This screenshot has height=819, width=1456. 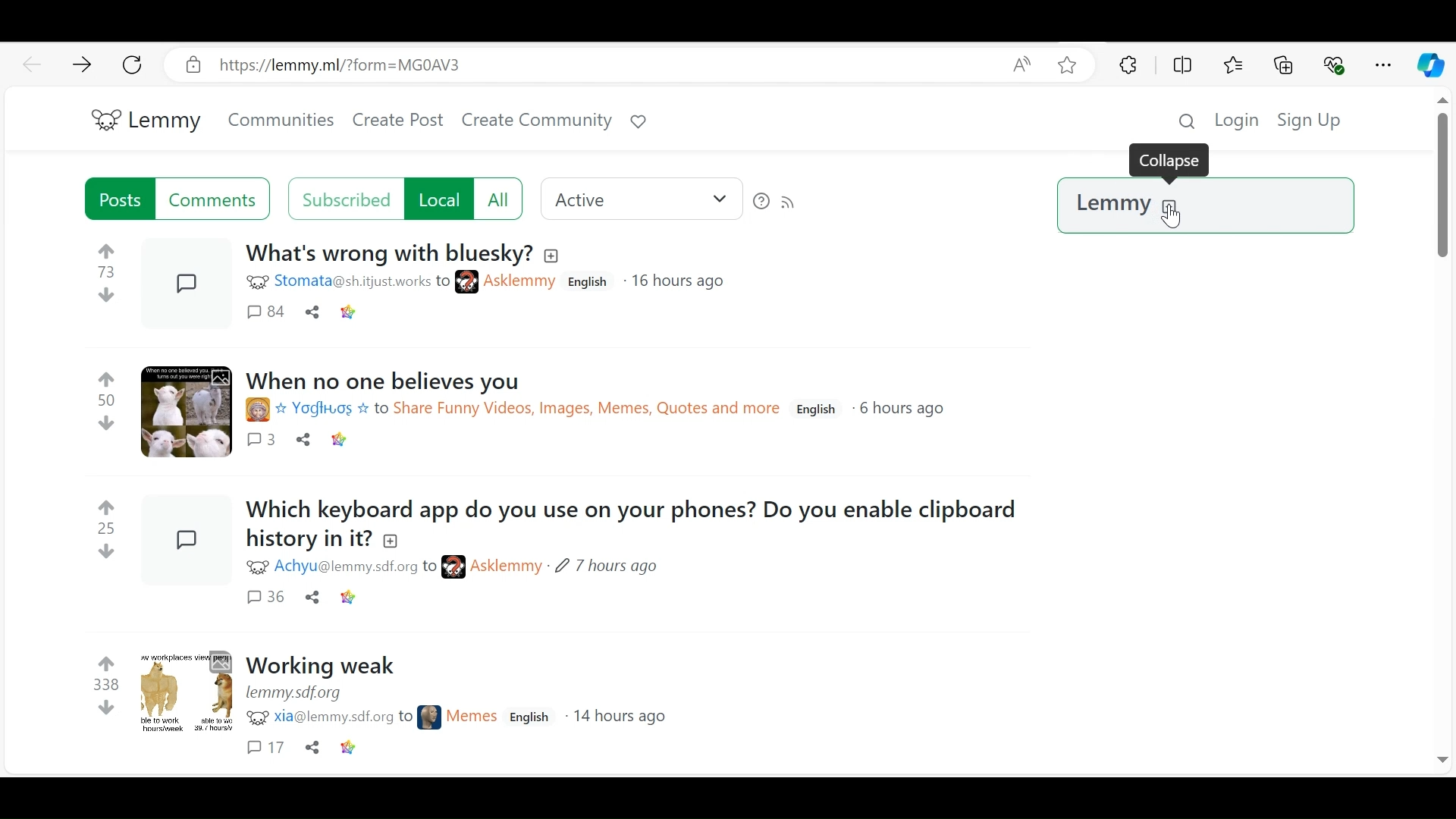 What do you see at coordinates (102, 527) in the screenshot?
I see `25` at bounding box center [102, 527].